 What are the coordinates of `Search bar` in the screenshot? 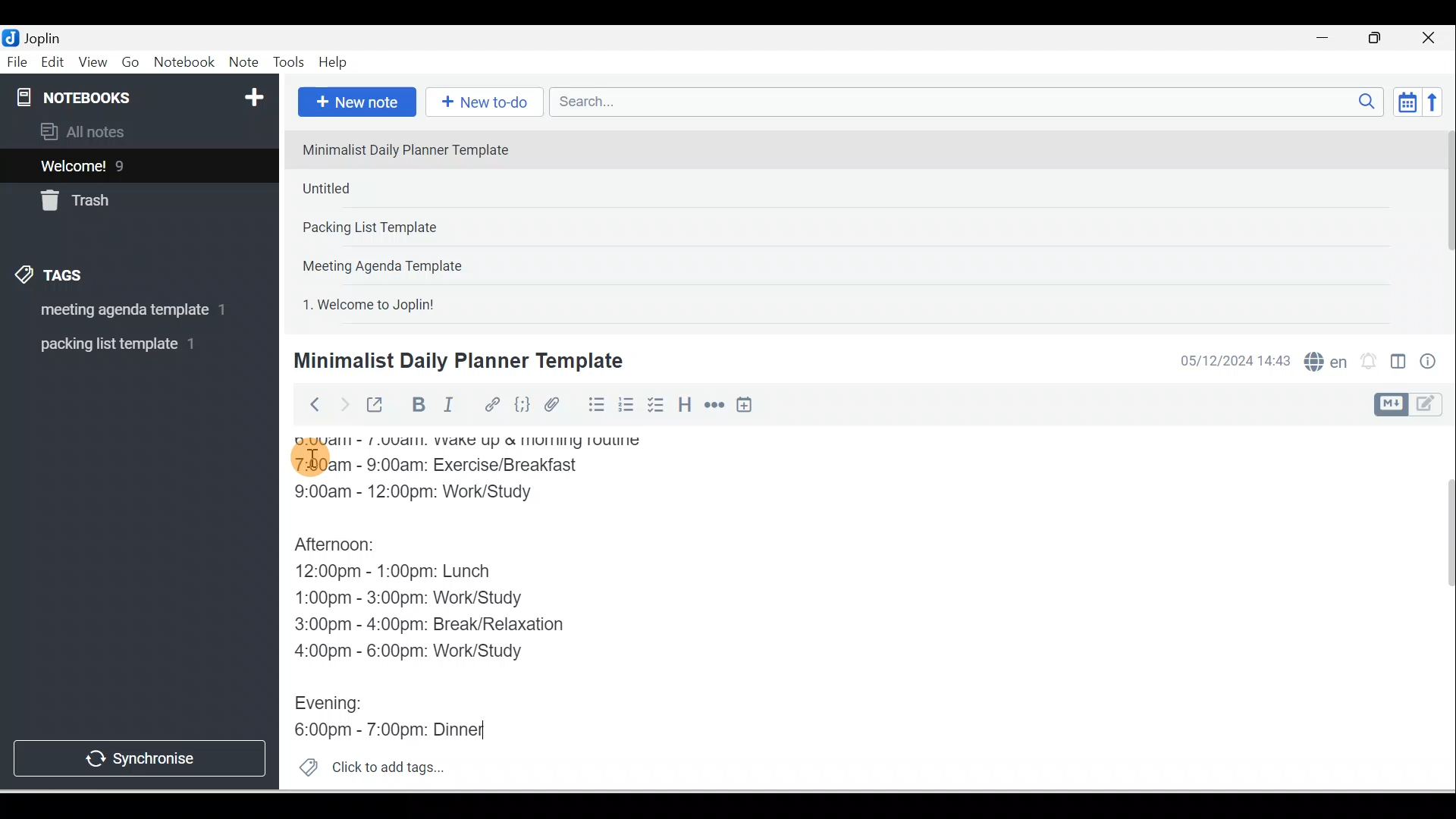 It's located at (971, 102).